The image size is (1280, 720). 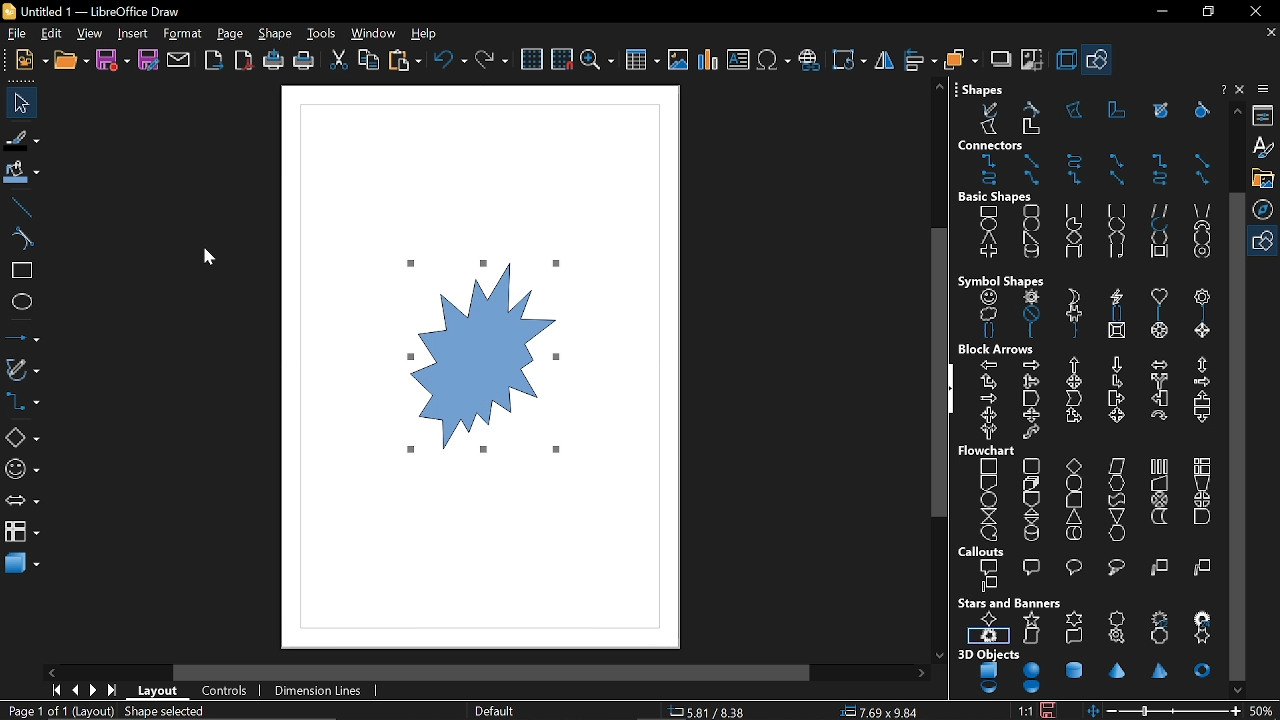 I want to click on tools, so click(x=322, y=34).